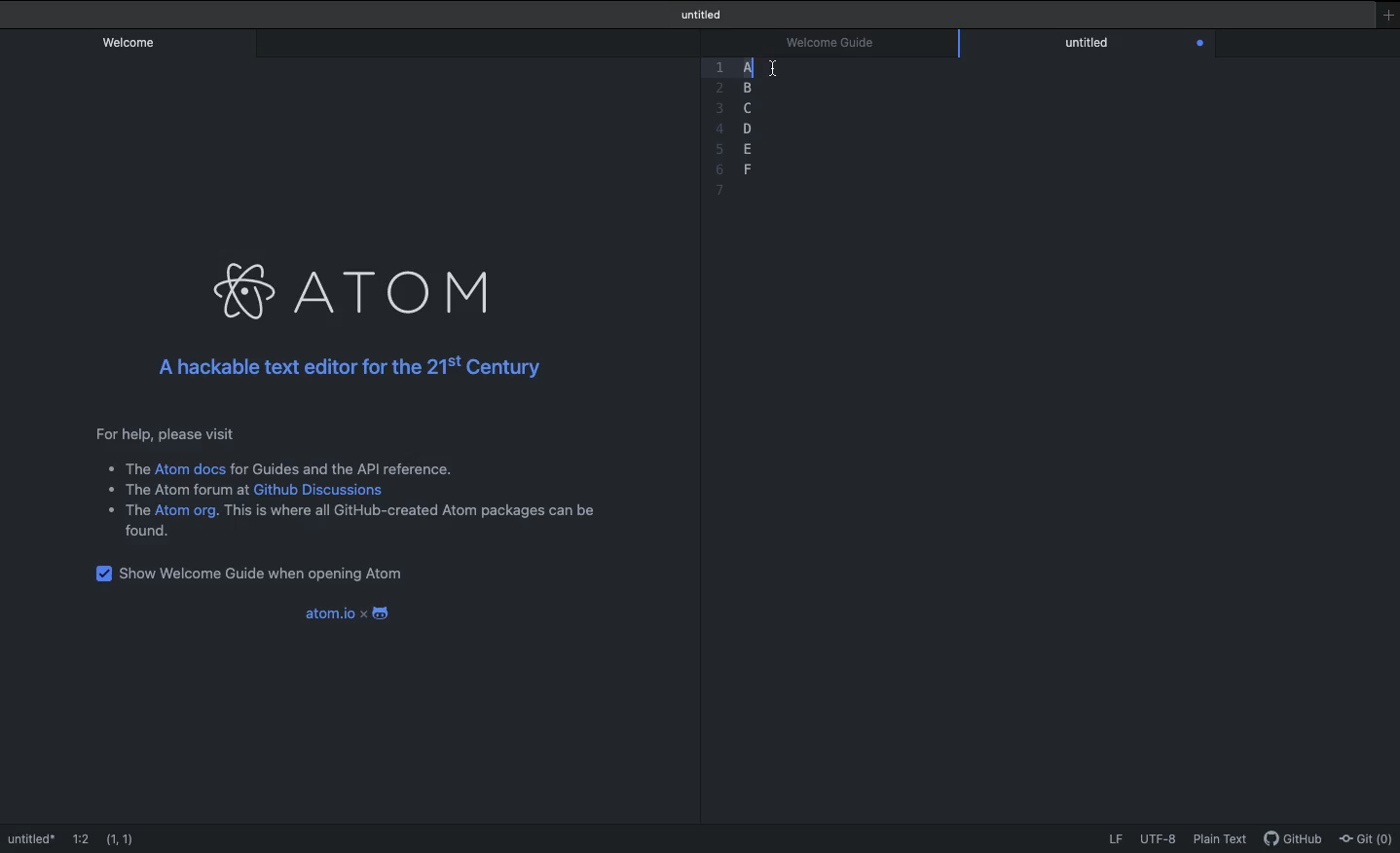 The height and width of the screenshot is (853, 1400). Describe the element at coordinates (1160, 839) in the screenshot. I see `UTF-8` at that location.